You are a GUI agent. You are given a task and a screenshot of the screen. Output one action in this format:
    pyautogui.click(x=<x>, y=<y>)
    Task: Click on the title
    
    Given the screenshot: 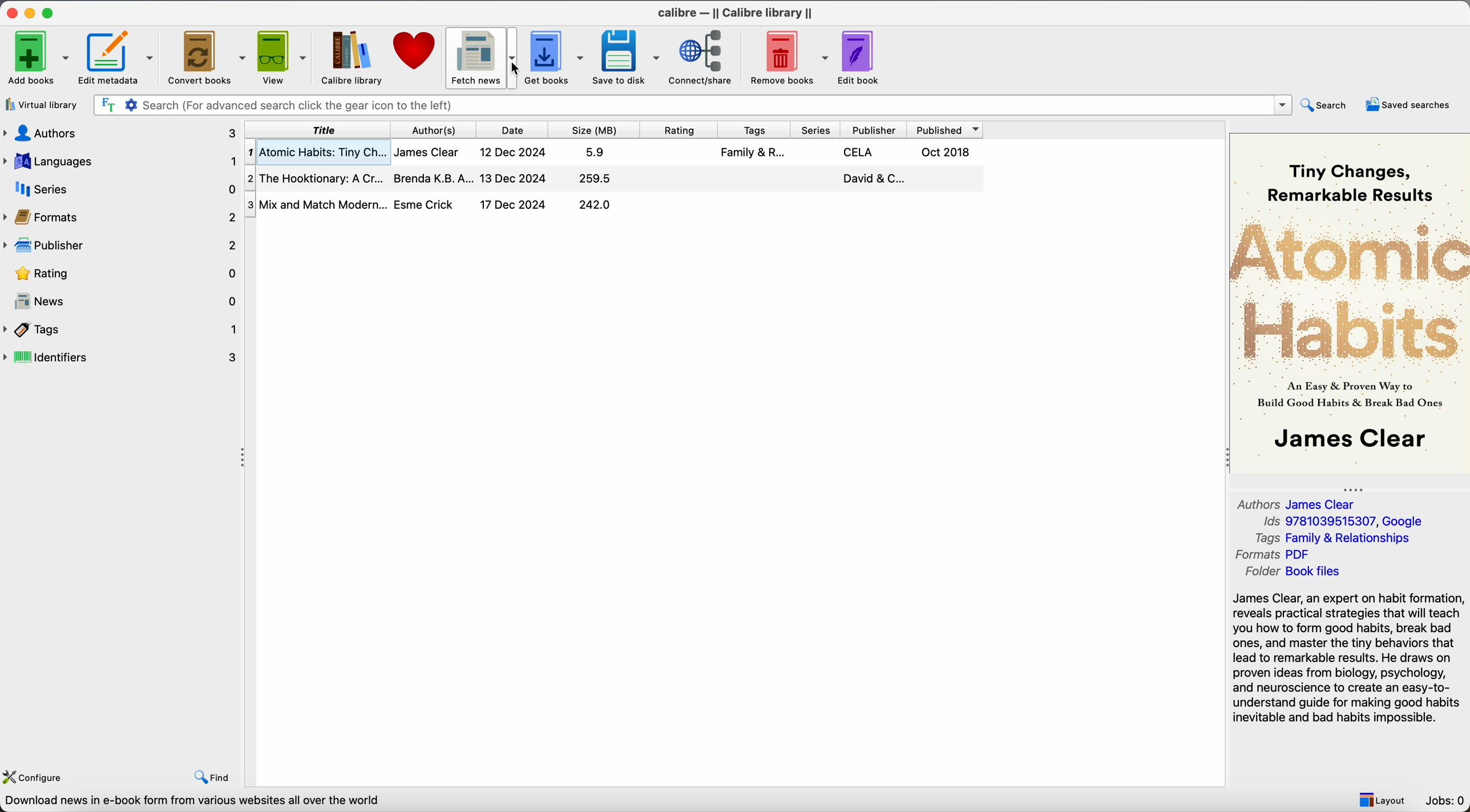 What is the action you would take?
    pyautogui.click(x=319, y=130)
    